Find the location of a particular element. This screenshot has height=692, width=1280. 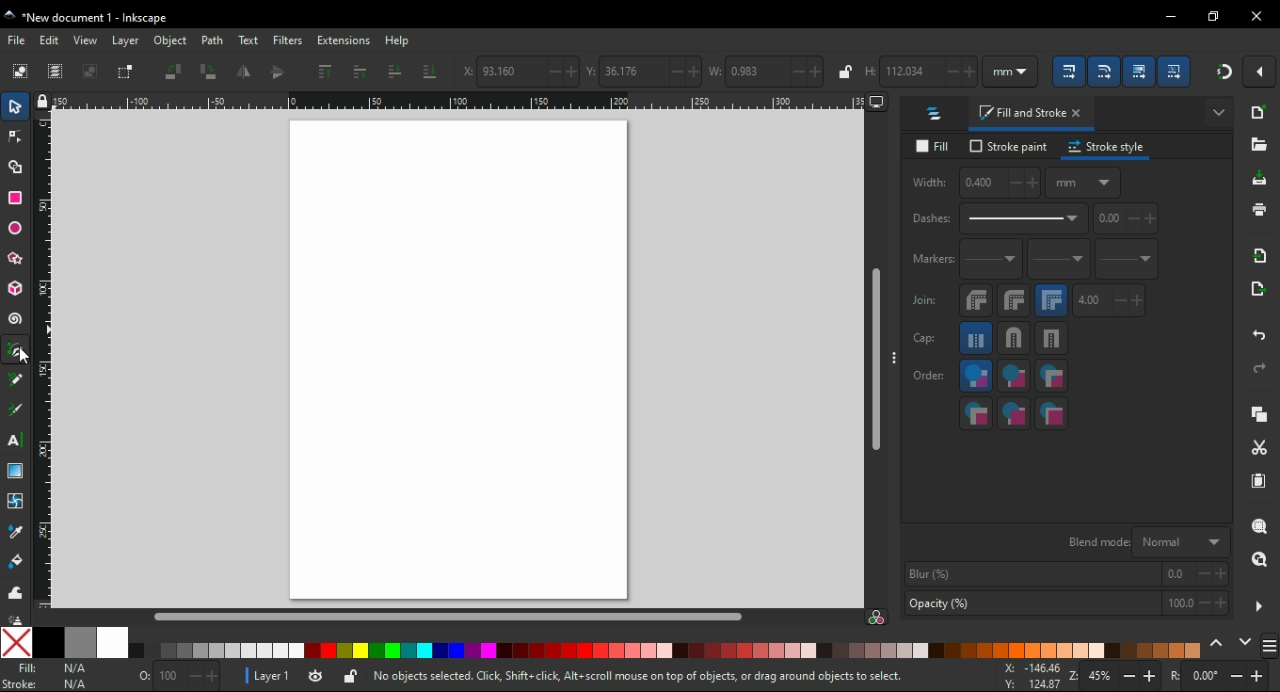

select all is located at coordinates (20, 72).